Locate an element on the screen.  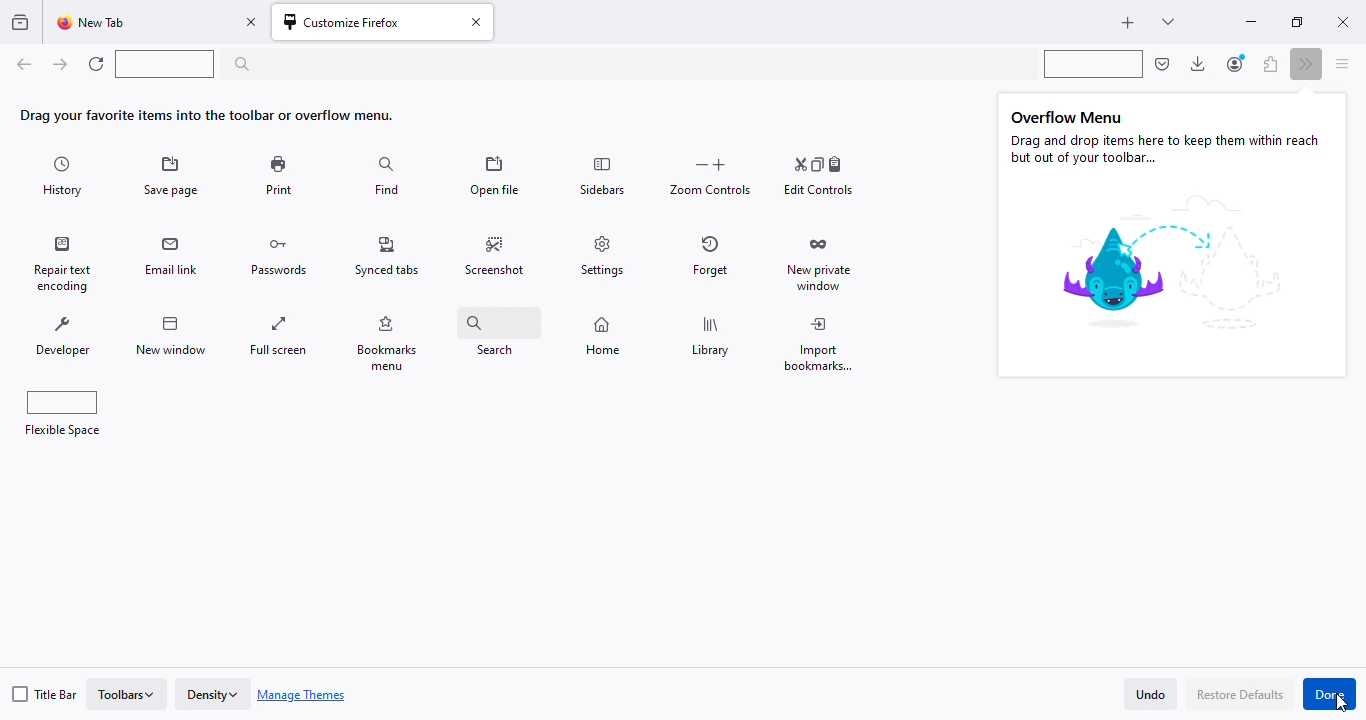
image is located at coordinates (1171, 284).